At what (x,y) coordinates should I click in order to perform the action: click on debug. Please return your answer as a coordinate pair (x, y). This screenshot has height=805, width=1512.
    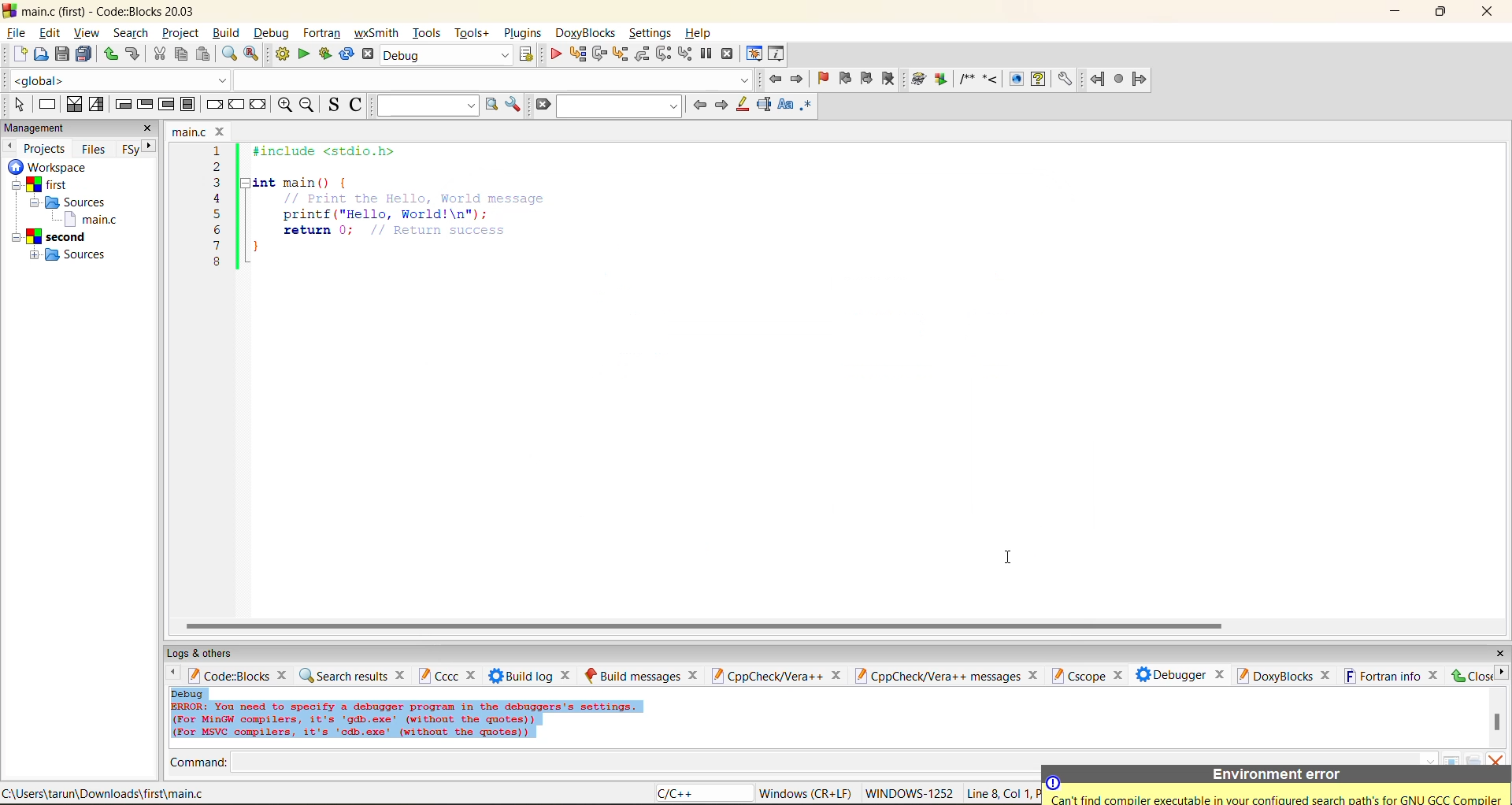
    Looking at the image, I should click on (269, 33).